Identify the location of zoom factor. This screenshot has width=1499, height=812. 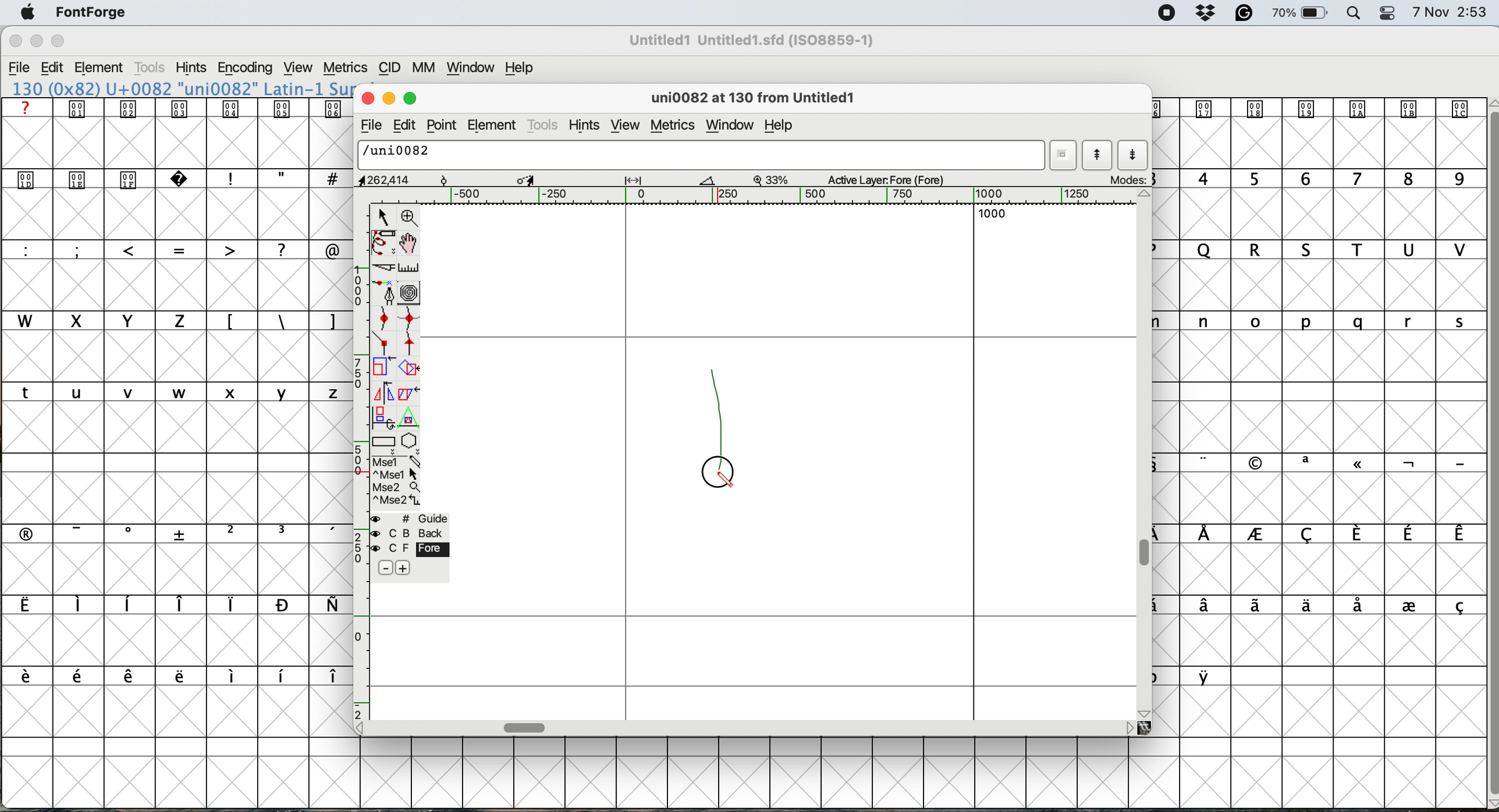
(773, 179).